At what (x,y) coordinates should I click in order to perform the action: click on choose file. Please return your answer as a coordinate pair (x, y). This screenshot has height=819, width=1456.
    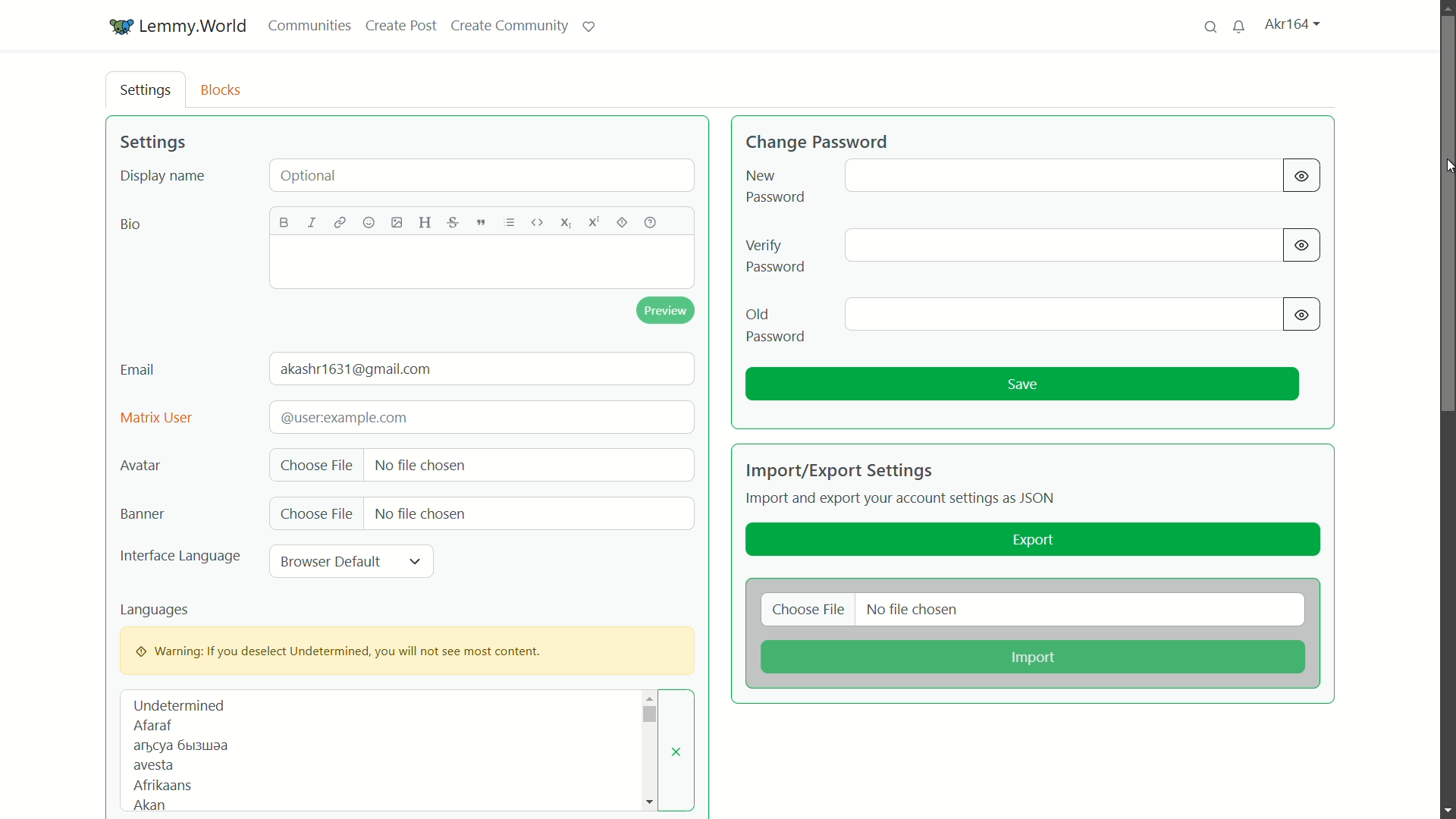
    Looking at the image, I should click on (318, 514).